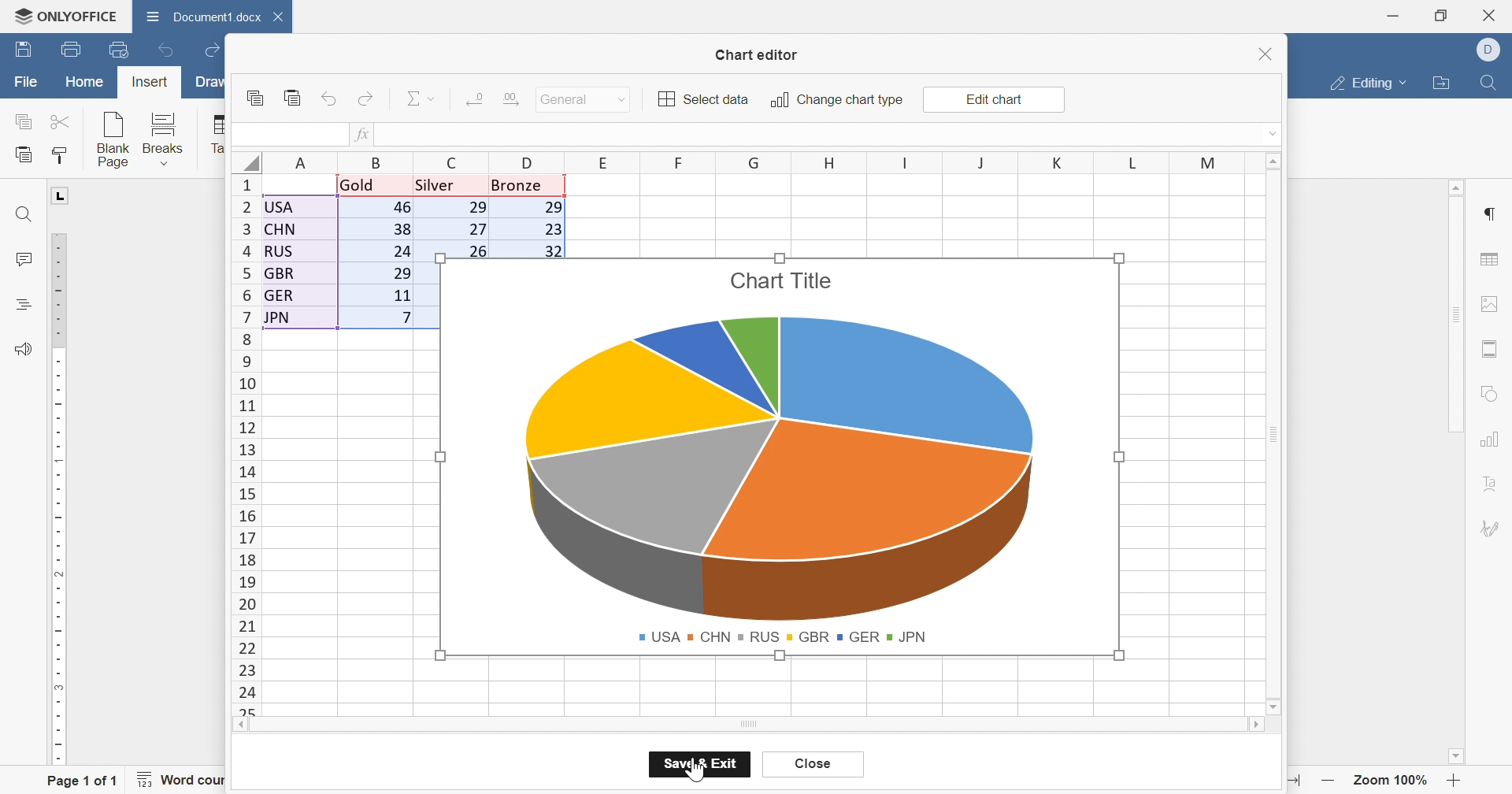 The image size is (1512, 794). Describe the element at coordinates (472, 99) in the screenshot. I see `Decrease decimal` at that location.